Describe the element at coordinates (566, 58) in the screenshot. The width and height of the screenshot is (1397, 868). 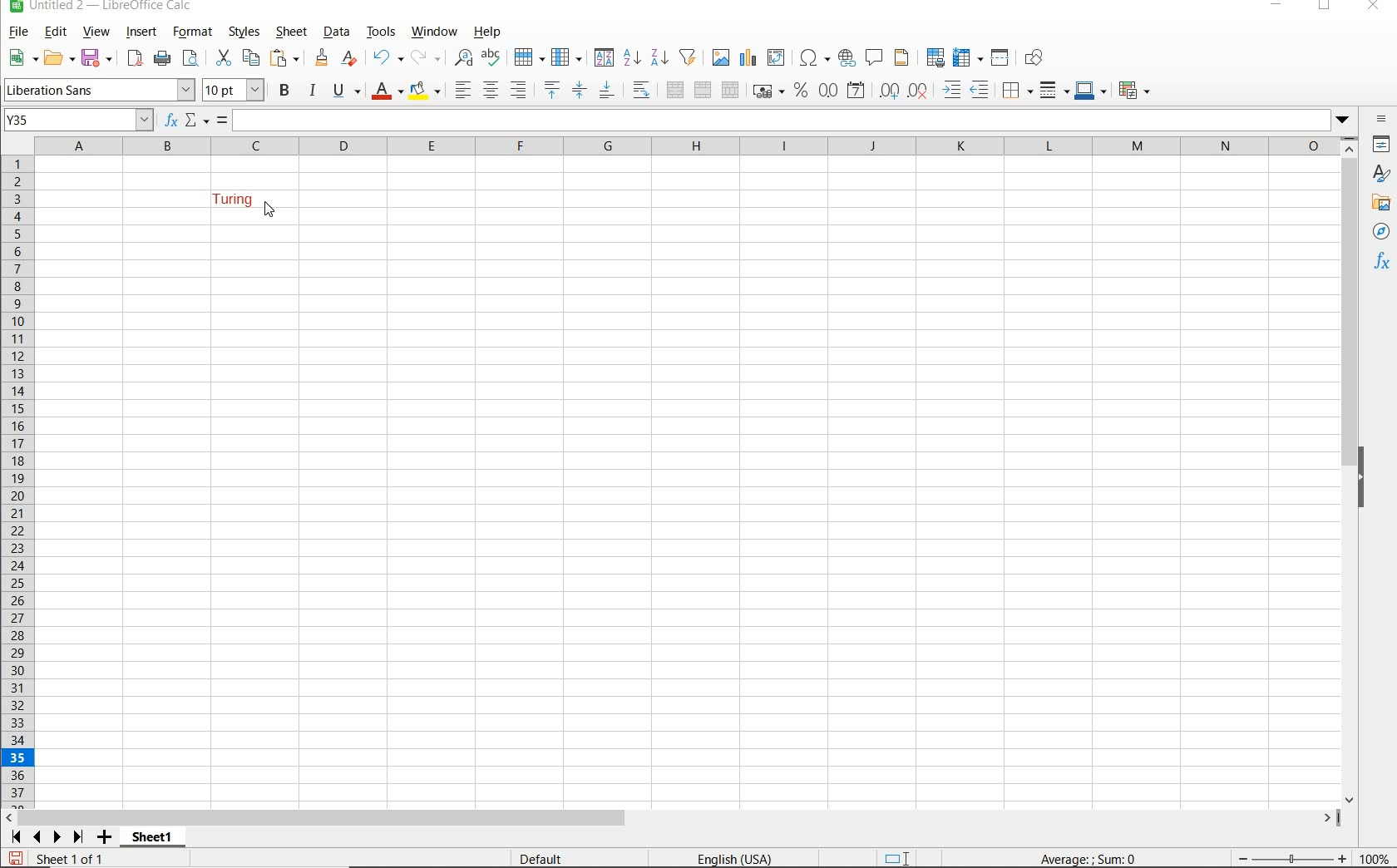
I see `COLUMN` at that location.